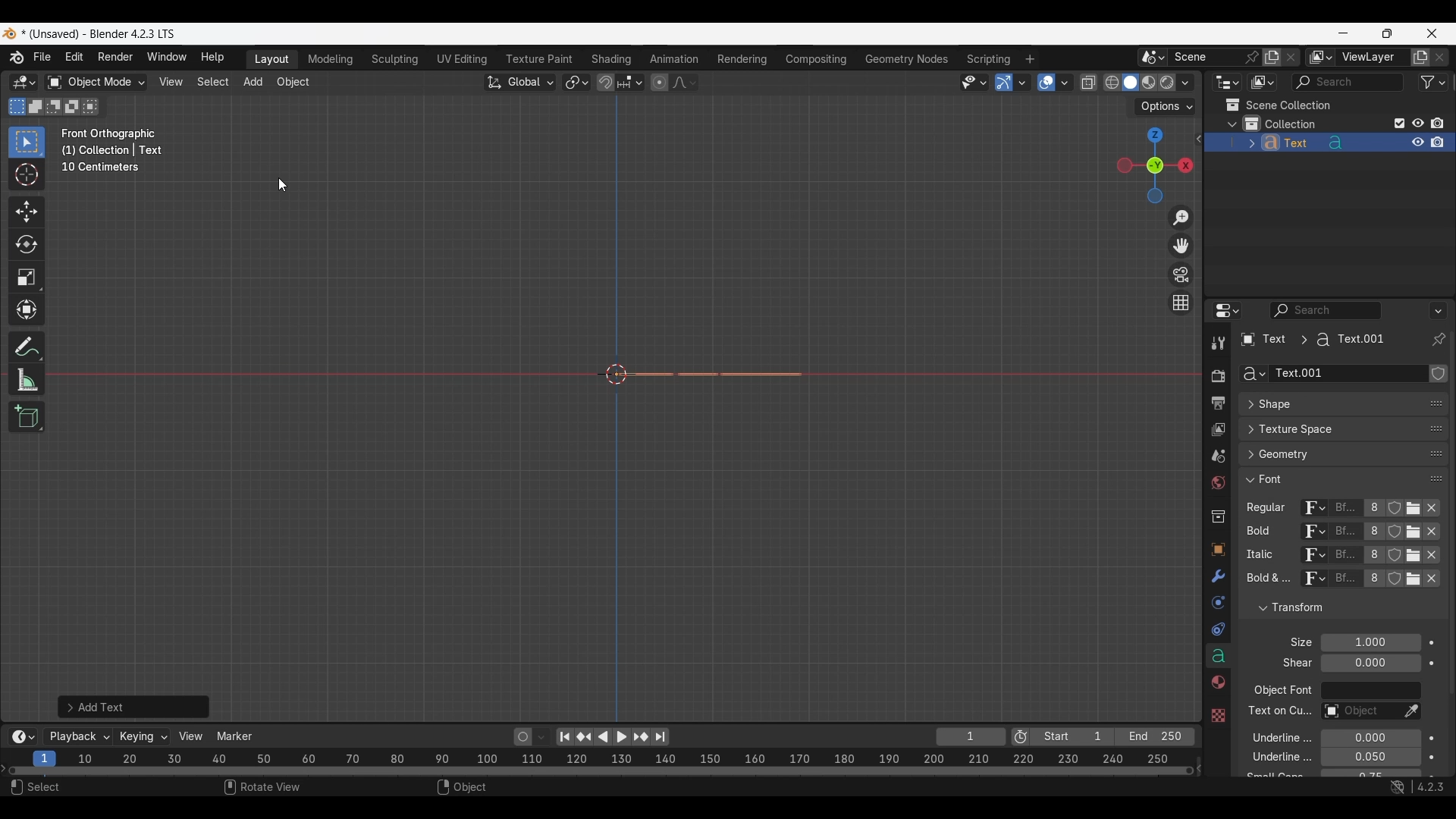  I want to click on Text object added to collection, so click(1329, 143).